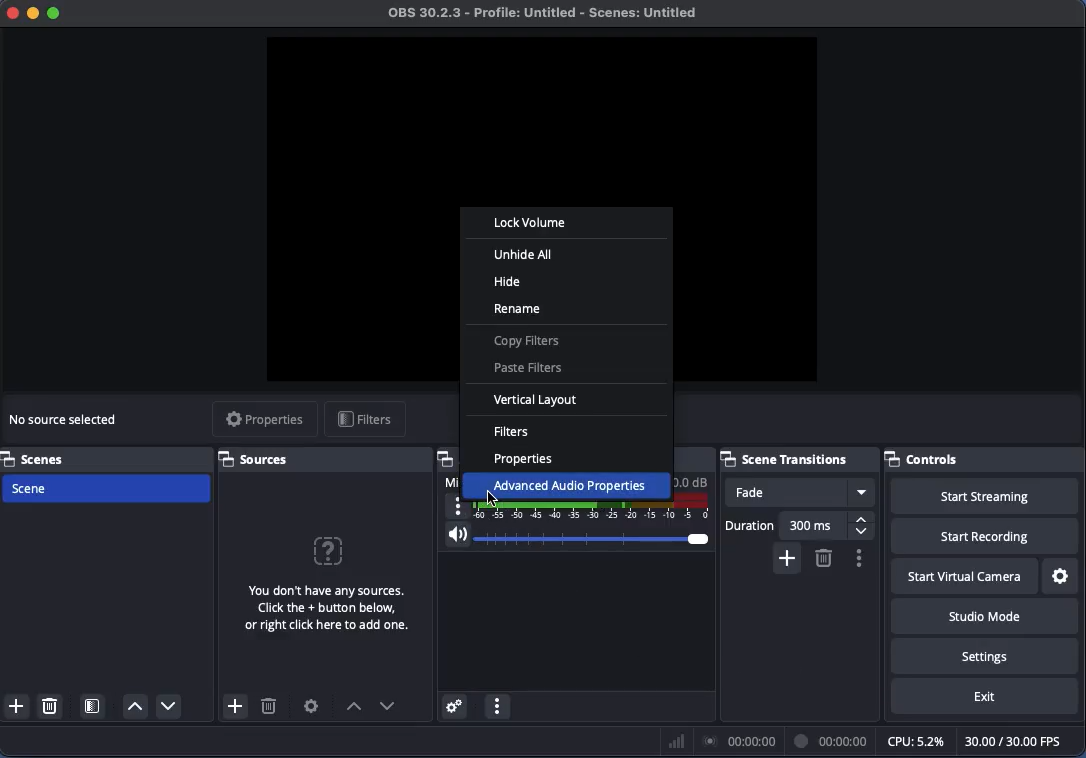  Describe the element at coordinates (567, 482) in the screenshot. I see `Advanced audio properties` at that location.